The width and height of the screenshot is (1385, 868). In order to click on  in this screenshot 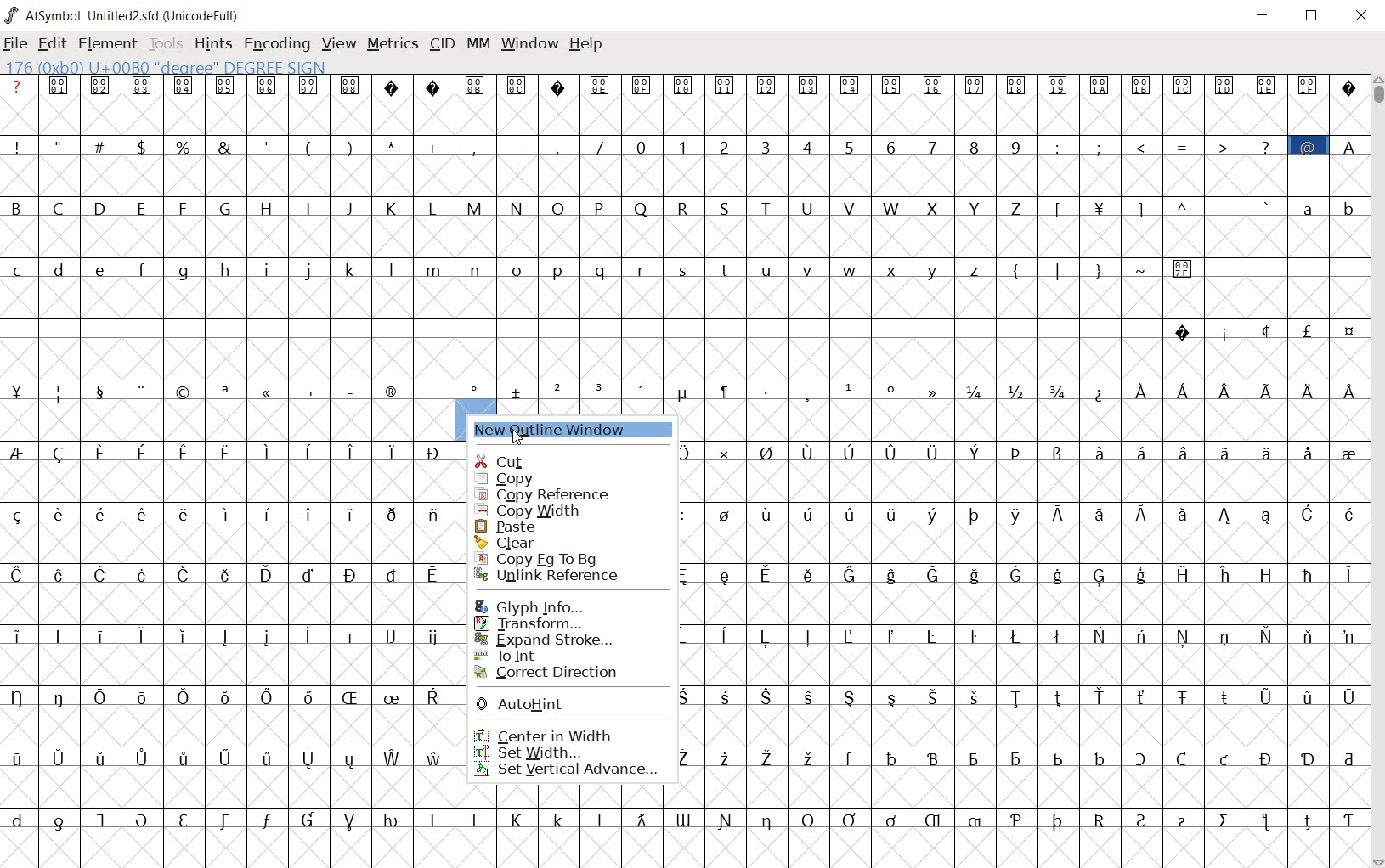, I will do `click(1020, 481)`.